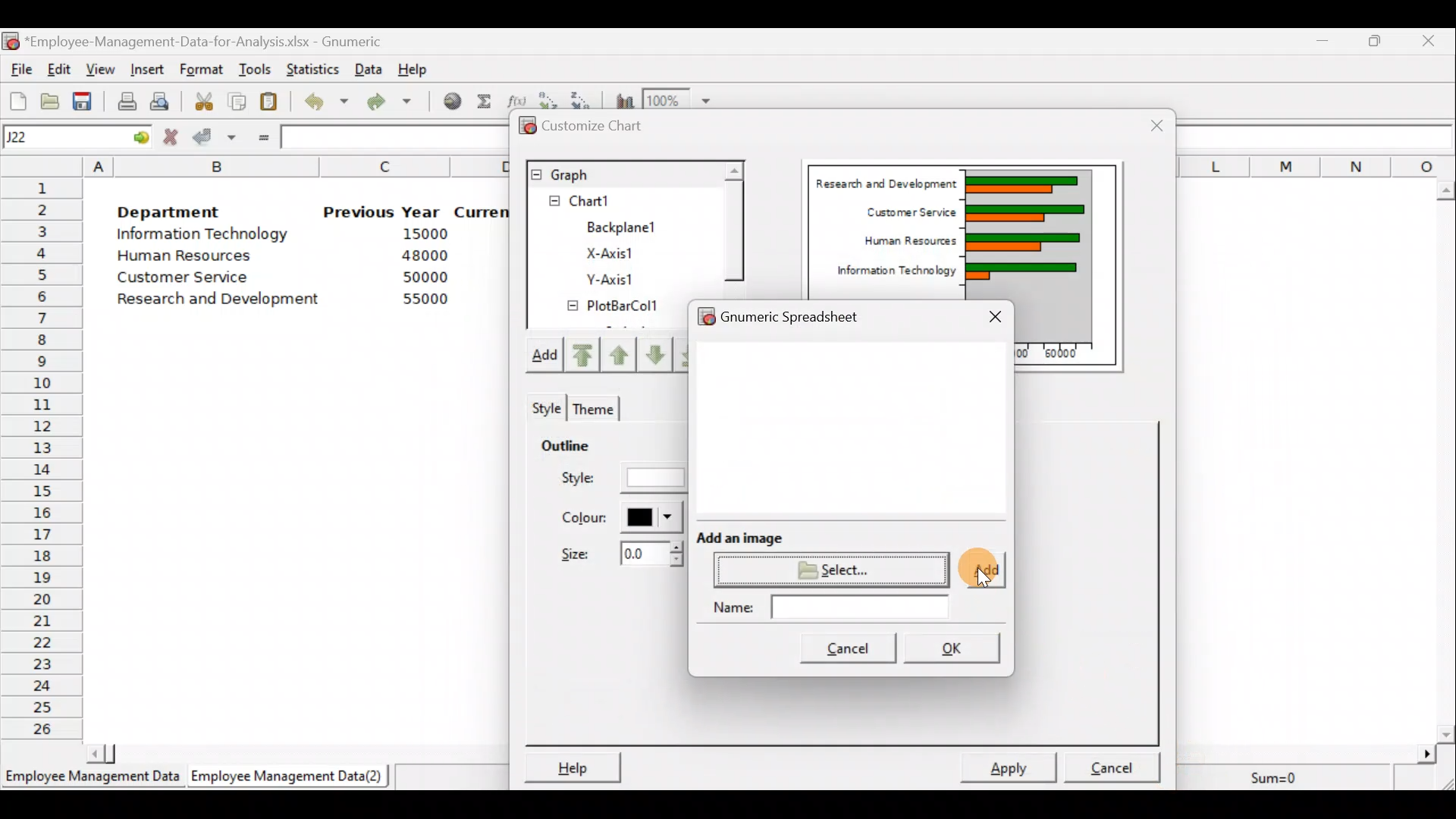 This screenshot has width=1456, height=819. What do you see at coordinates (273, 103) in the screenshot?
I see `Paste the clipboard` at bounding box center [273, 103].